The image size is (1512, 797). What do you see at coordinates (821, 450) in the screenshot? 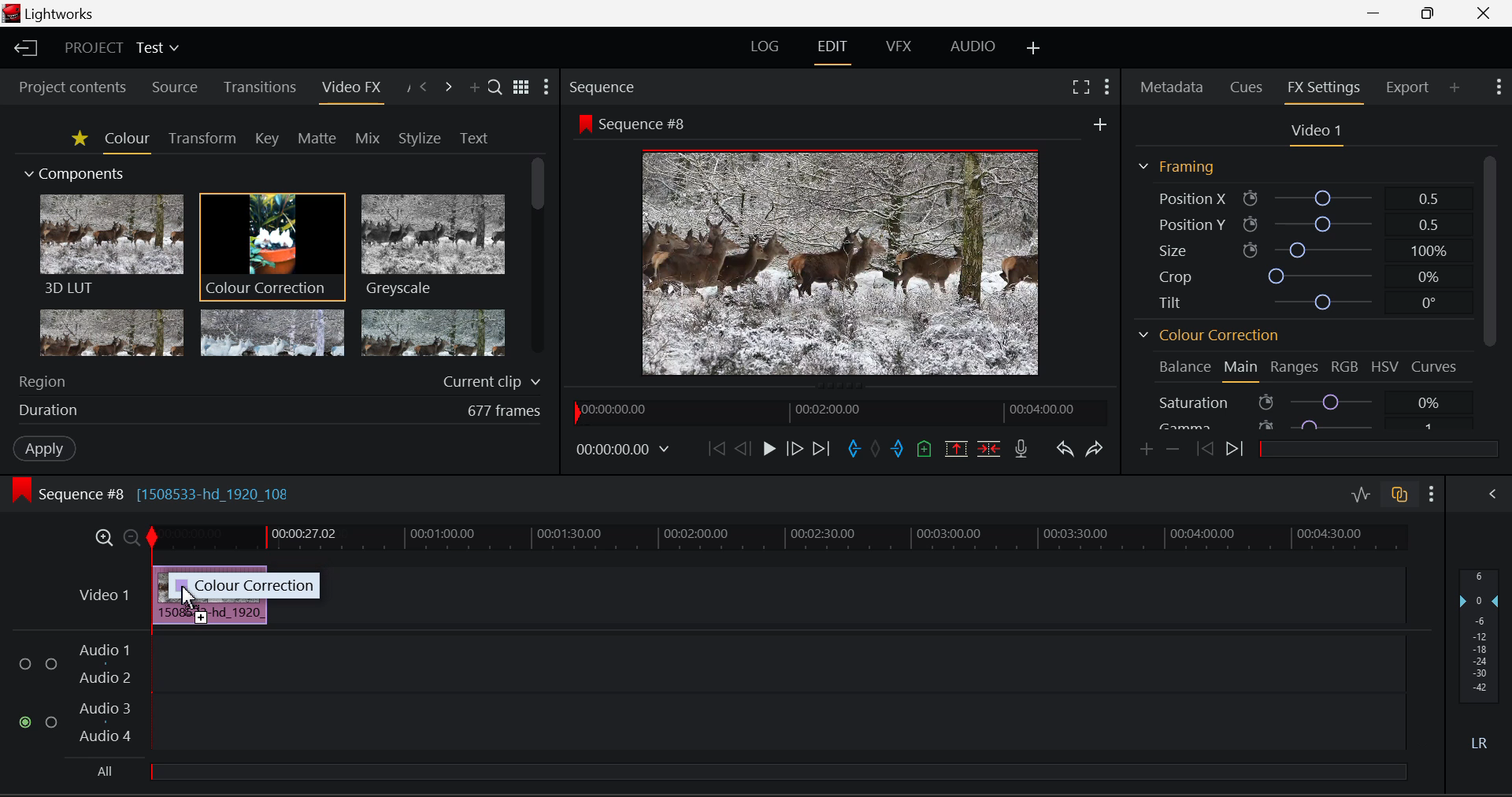
I see `To End` at bounding box center [821, 450].